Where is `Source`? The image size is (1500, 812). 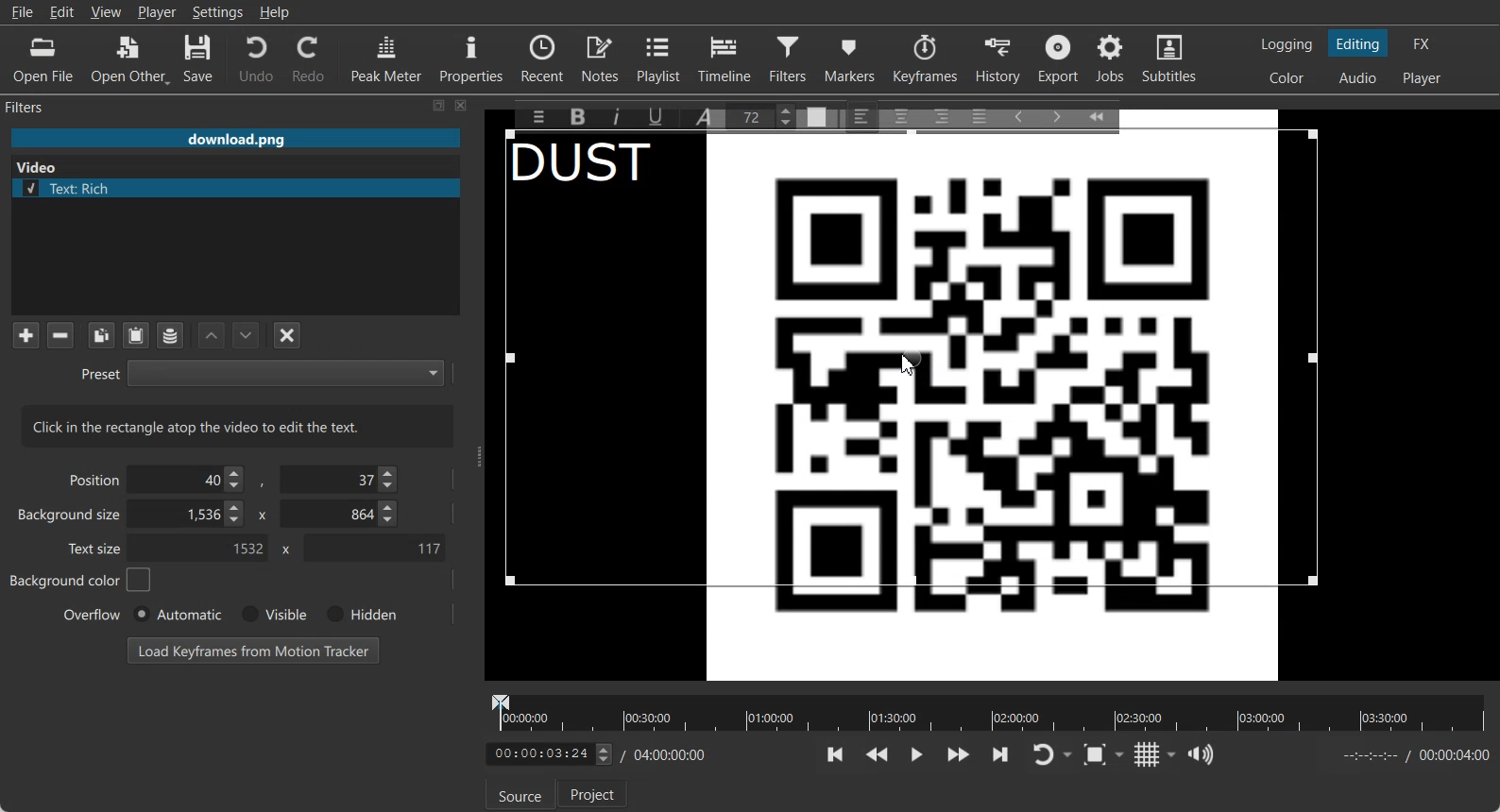
Source is located at coordinates (520, 795).